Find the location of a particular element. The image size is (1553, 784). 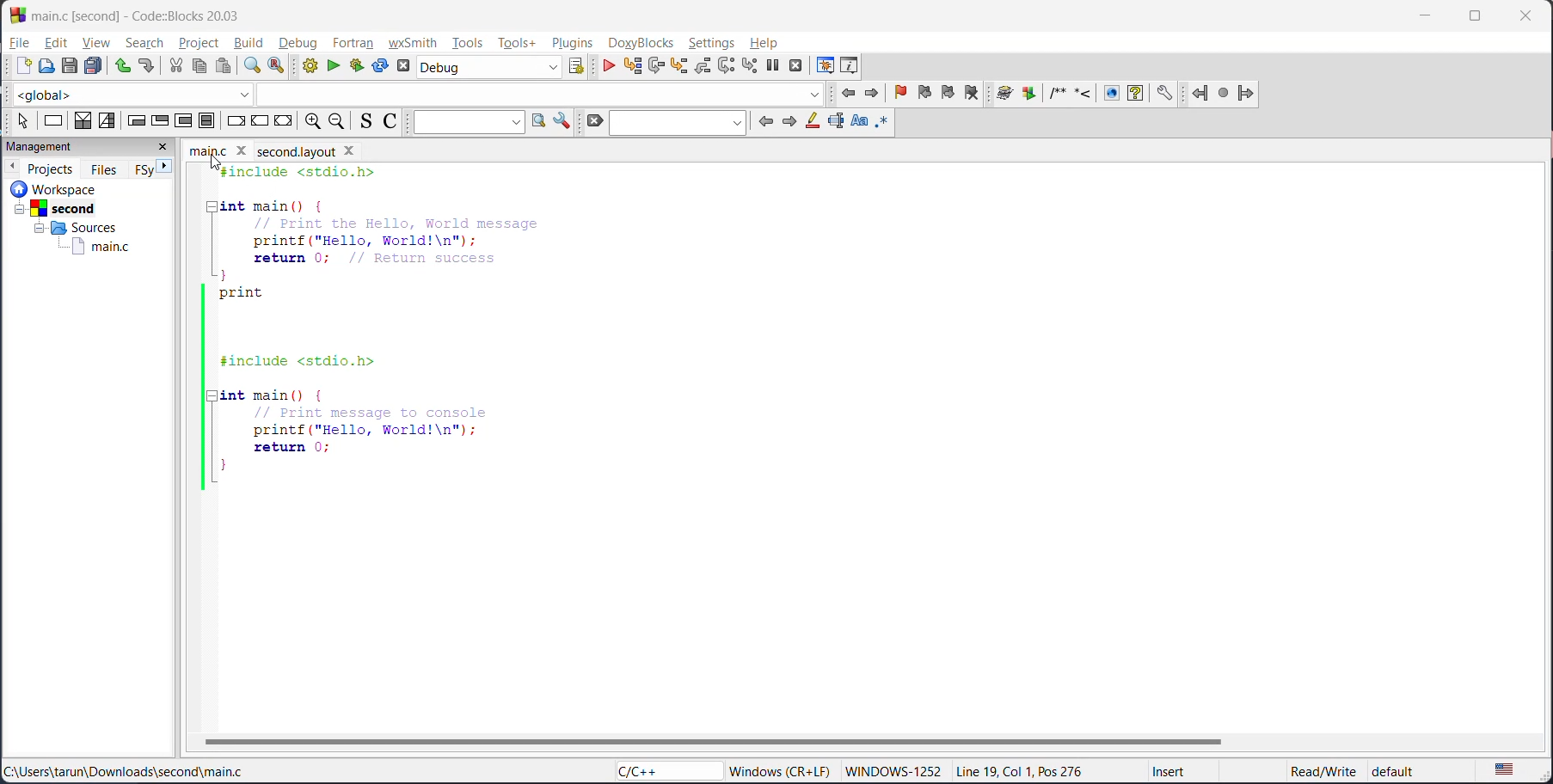

build is located at coordinates (254, 42).